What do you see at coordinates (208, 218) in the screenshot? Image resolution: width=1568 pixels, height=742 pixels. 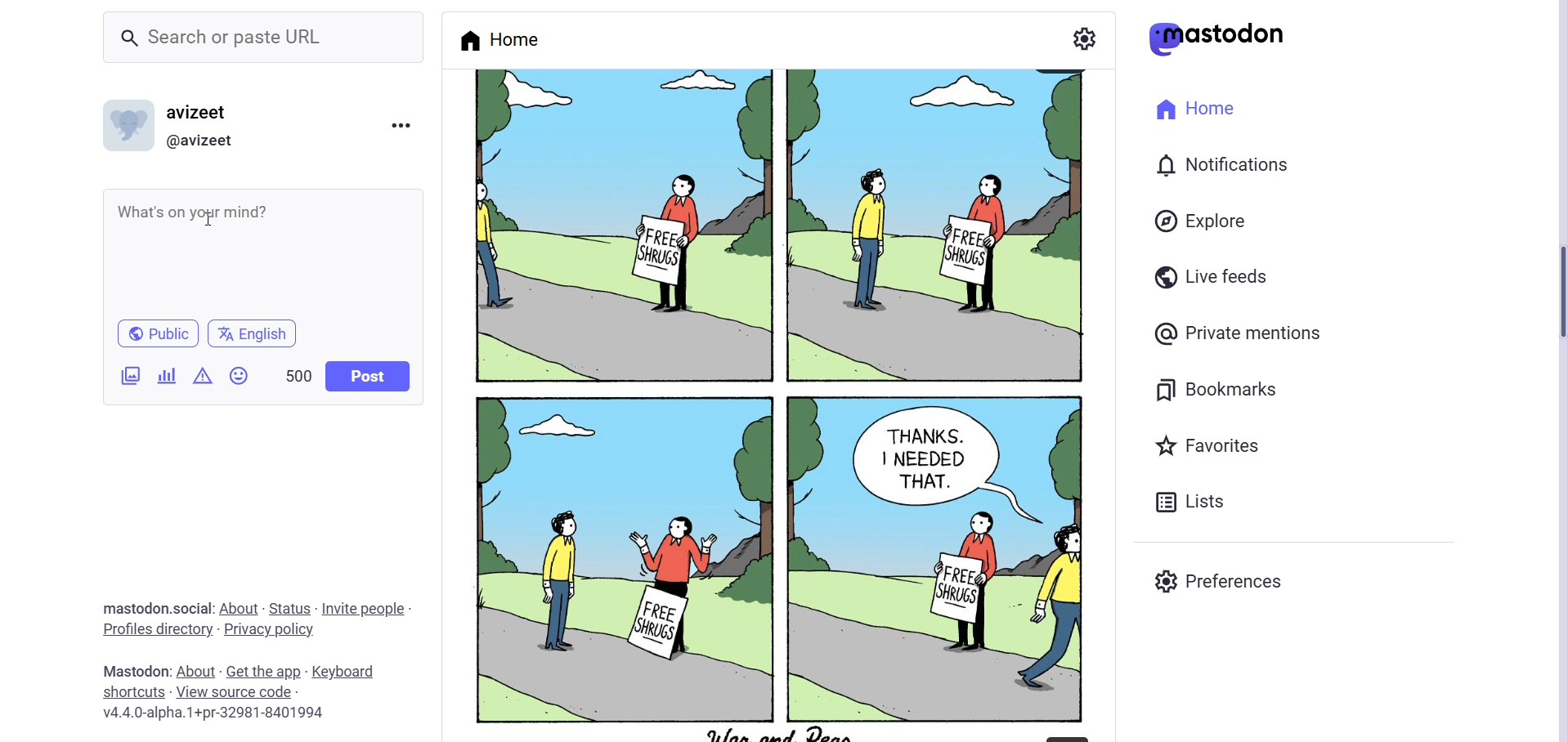 I see `cursor` at bounding box center [208, 218].